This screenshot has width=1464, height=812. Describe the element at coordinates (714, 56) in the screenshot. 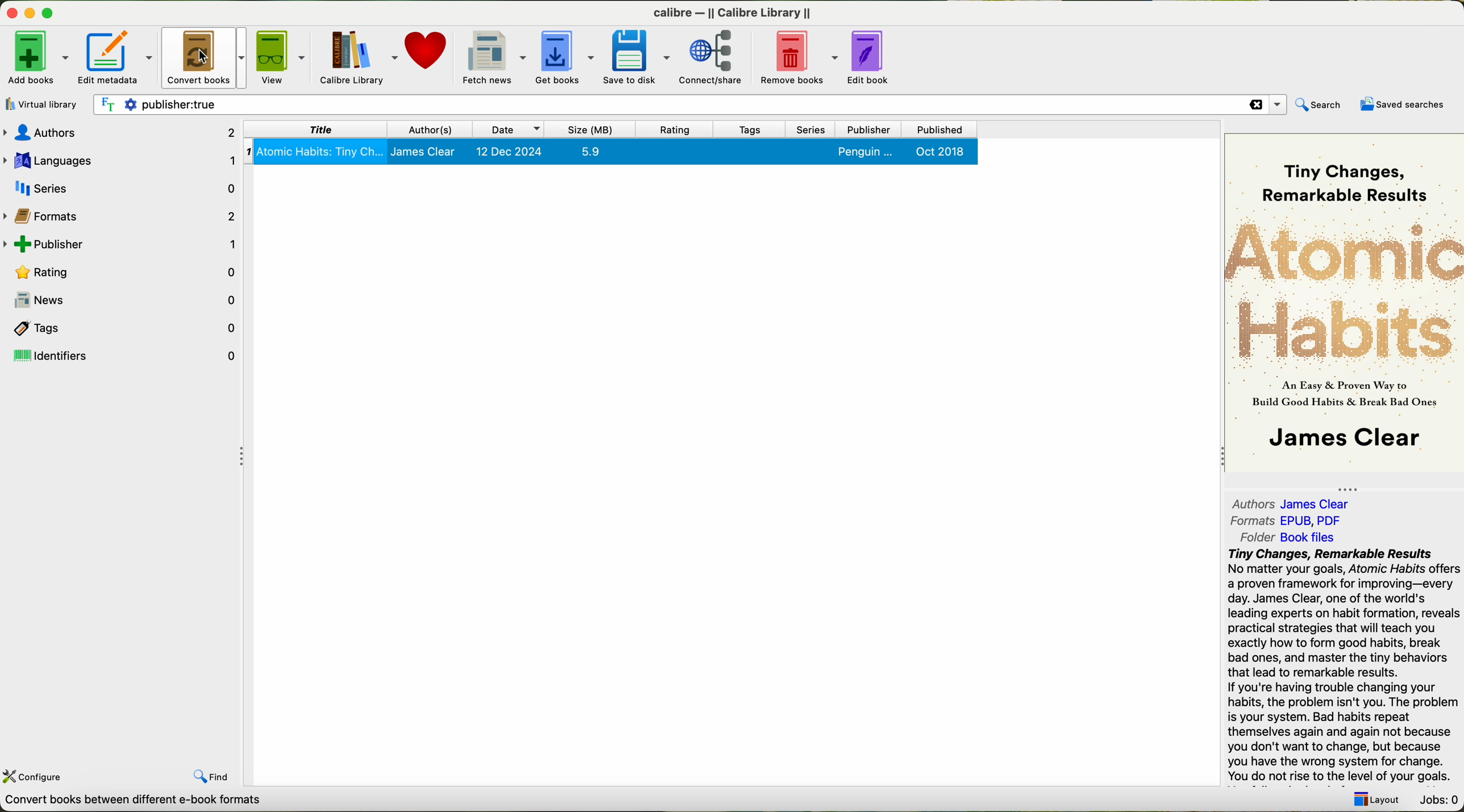

I see `connect/share` at that location.